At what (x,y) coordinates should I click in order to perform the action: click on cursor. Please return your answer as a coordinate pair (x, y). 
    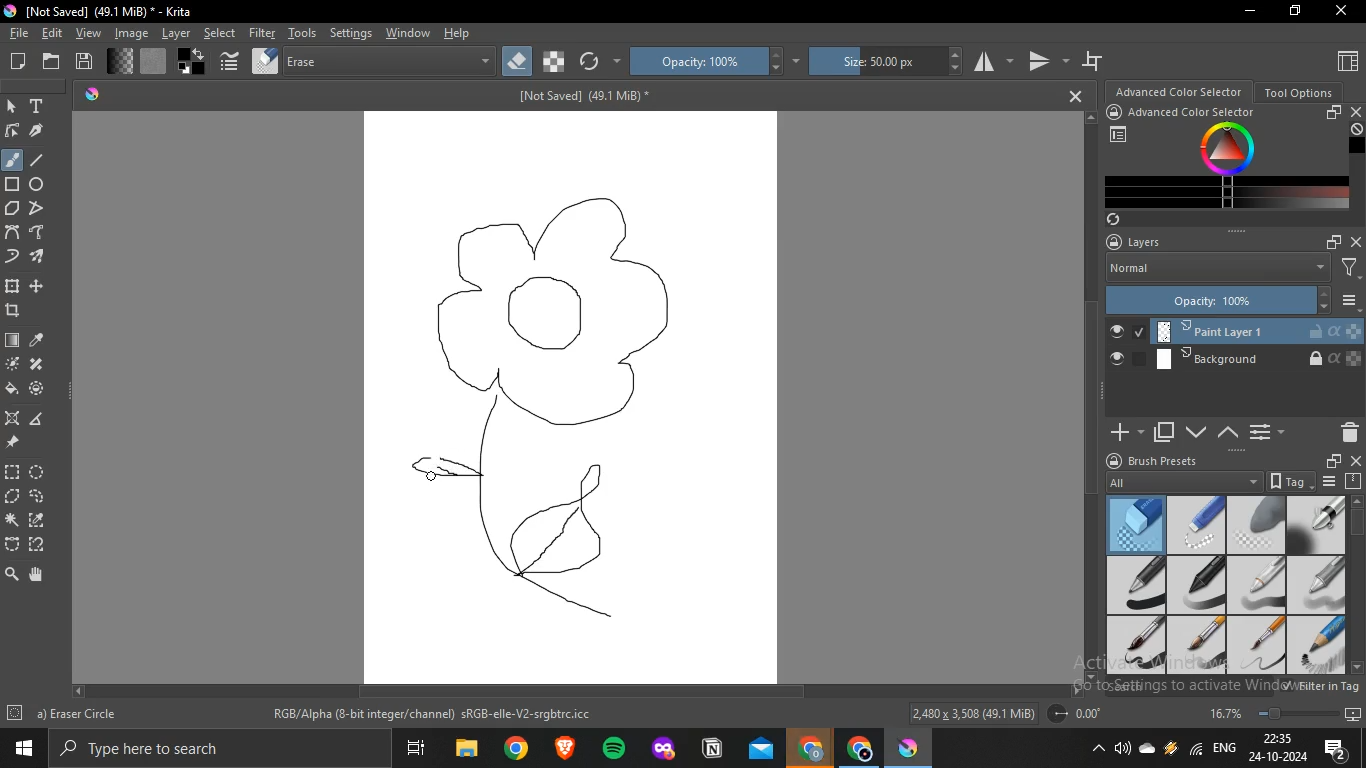
    Looking at the image, I should click on (434, 473).